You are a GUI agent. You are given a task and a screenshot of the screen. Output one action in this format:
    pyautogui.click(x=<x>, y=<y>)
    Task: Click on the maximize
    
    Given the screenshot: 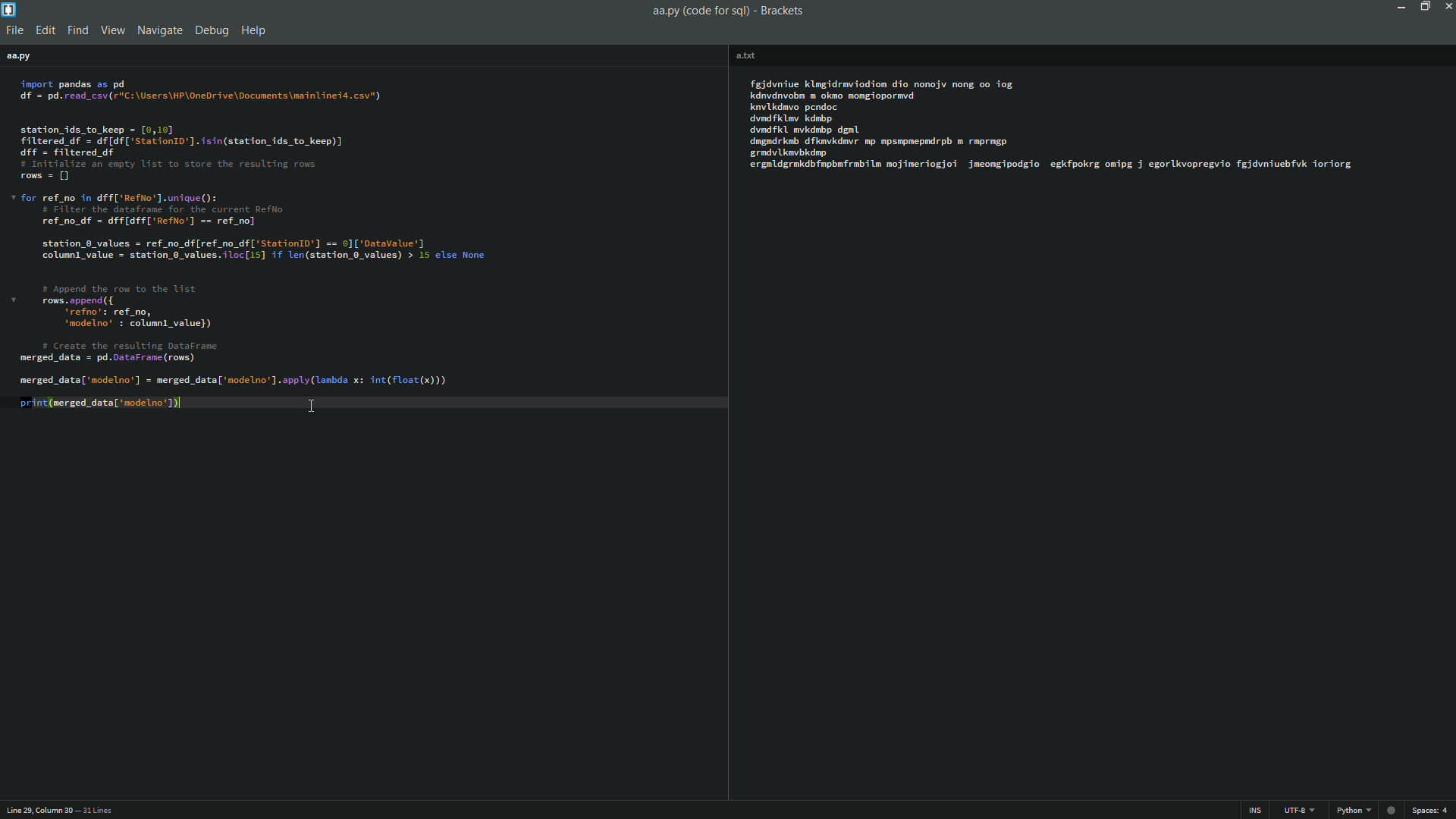 What is the action you would take?
    pyautogui.click(x=1425, y=7)
    